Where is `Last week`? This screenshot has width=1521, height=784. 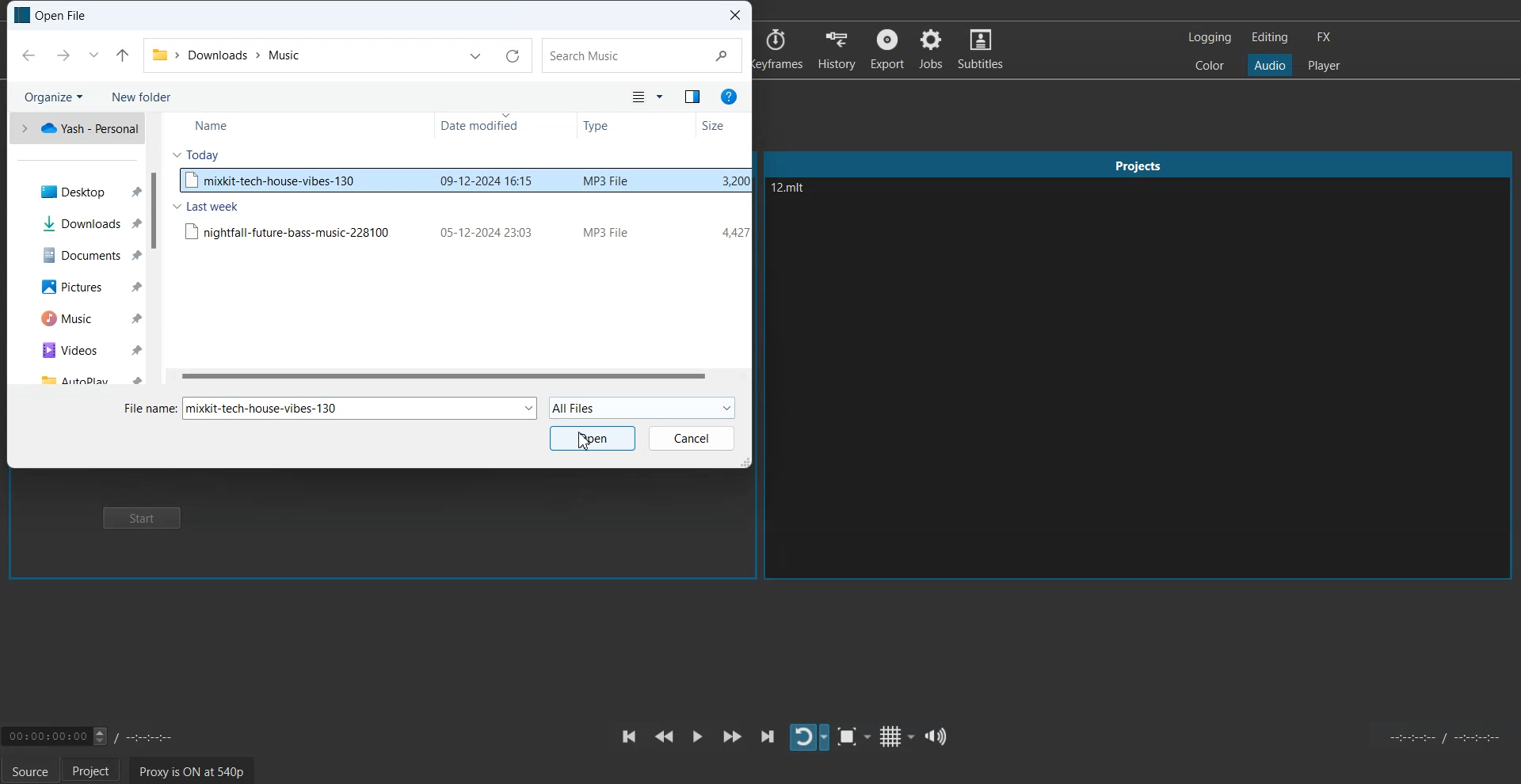 Last week is located at coordinates (206, 207).